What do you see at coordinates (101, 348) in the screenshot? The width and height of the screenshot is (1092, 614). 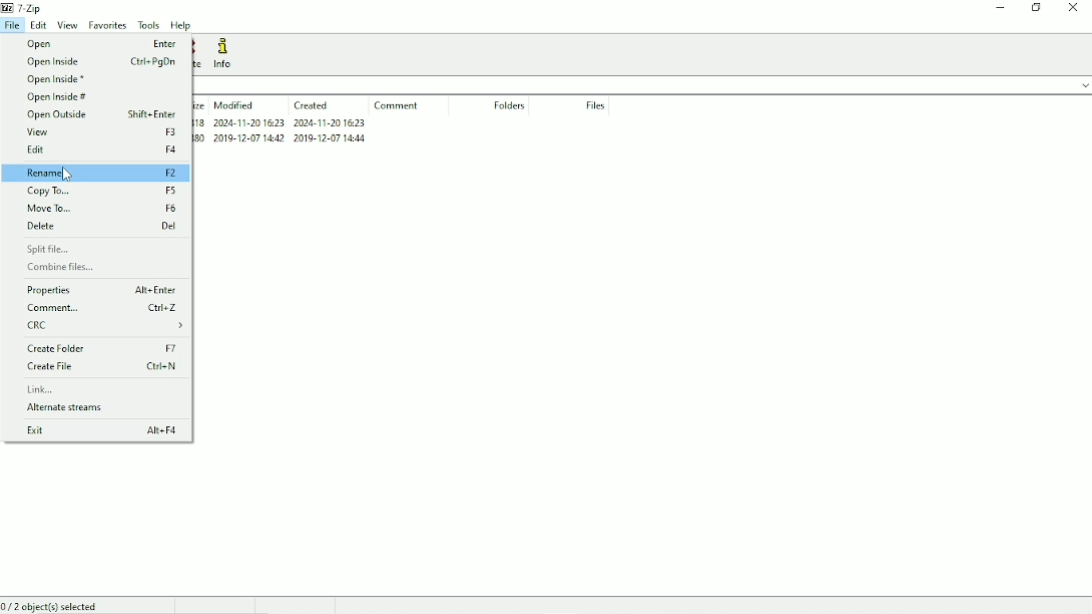 I see `Create Folder` at bounding box center [101, 348].